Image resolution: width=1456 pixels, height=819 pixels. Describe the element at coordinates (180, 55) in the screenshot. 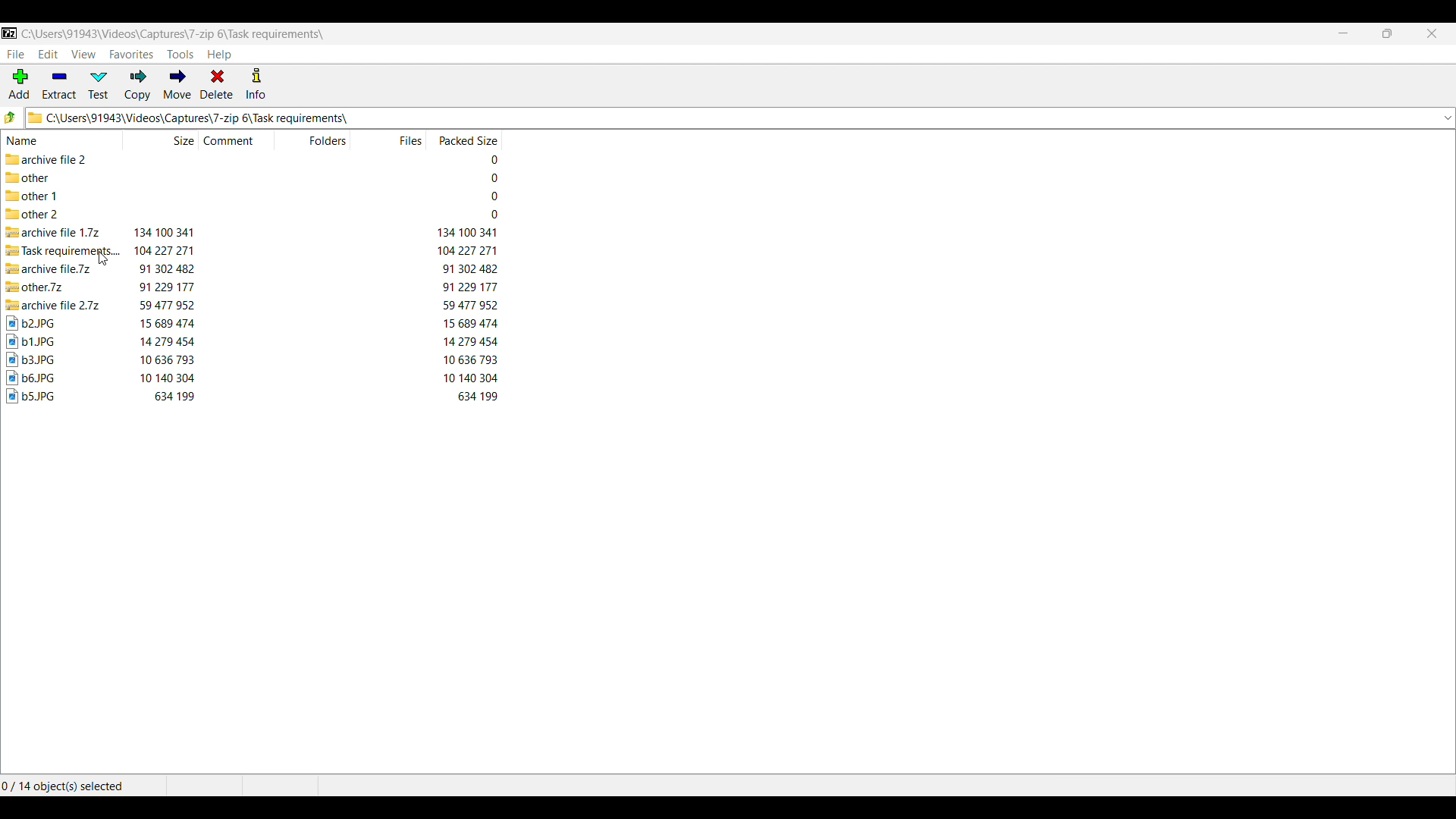

I see `Tools menu` at that location.